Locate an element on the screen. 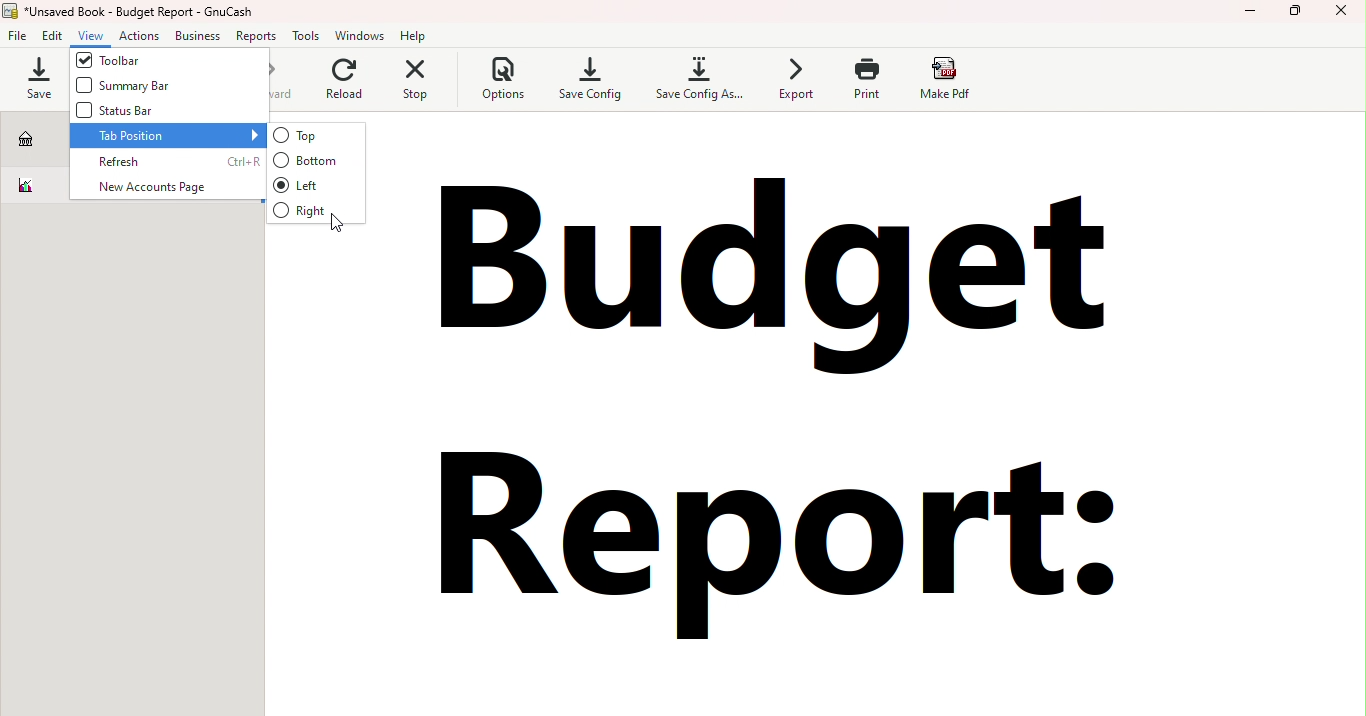  View is located at coordinates (91, 37).